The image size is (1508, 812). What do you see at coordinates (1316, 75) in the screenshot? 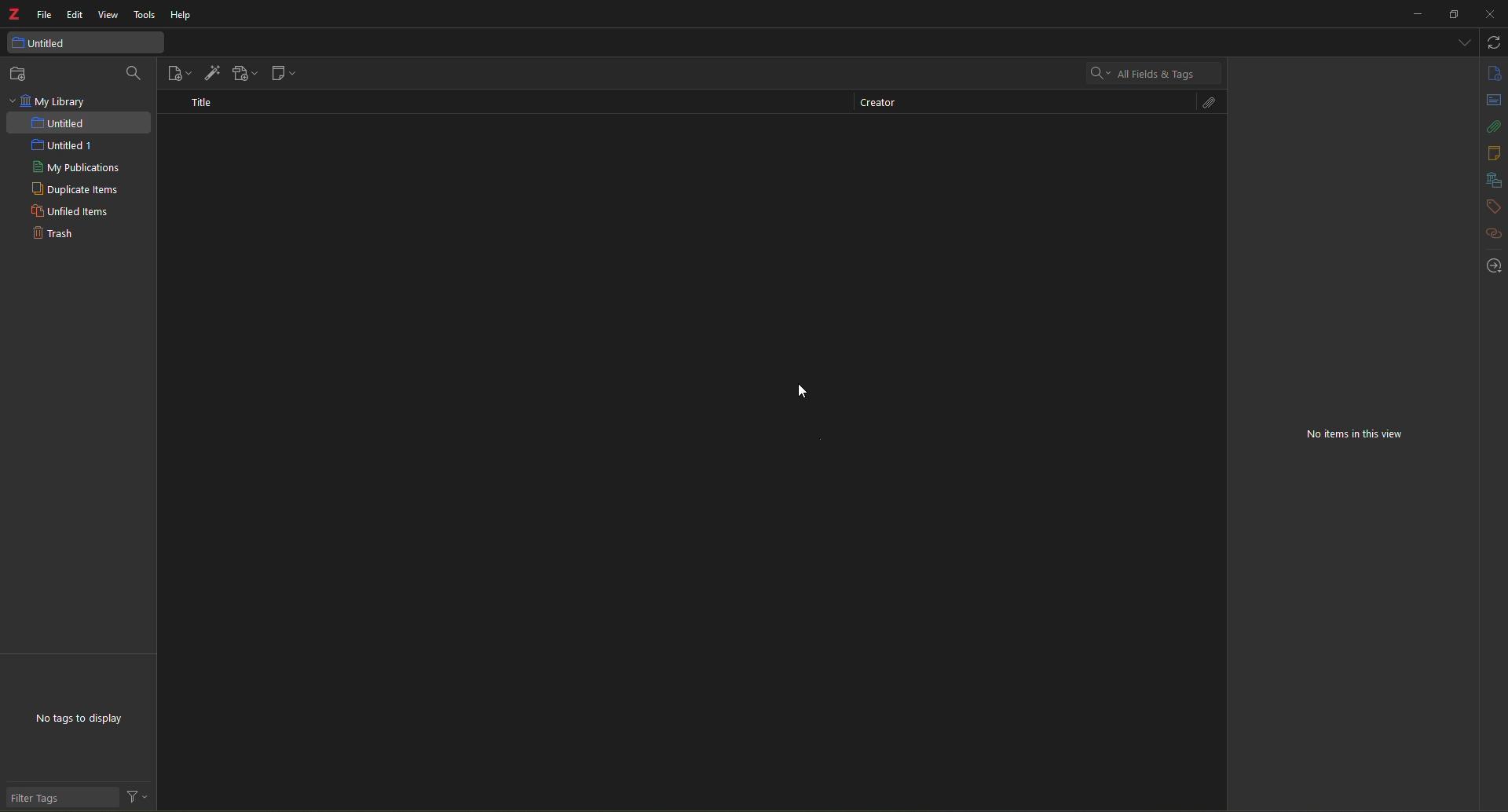
I see `text color` at bounding box center [1316, 75].